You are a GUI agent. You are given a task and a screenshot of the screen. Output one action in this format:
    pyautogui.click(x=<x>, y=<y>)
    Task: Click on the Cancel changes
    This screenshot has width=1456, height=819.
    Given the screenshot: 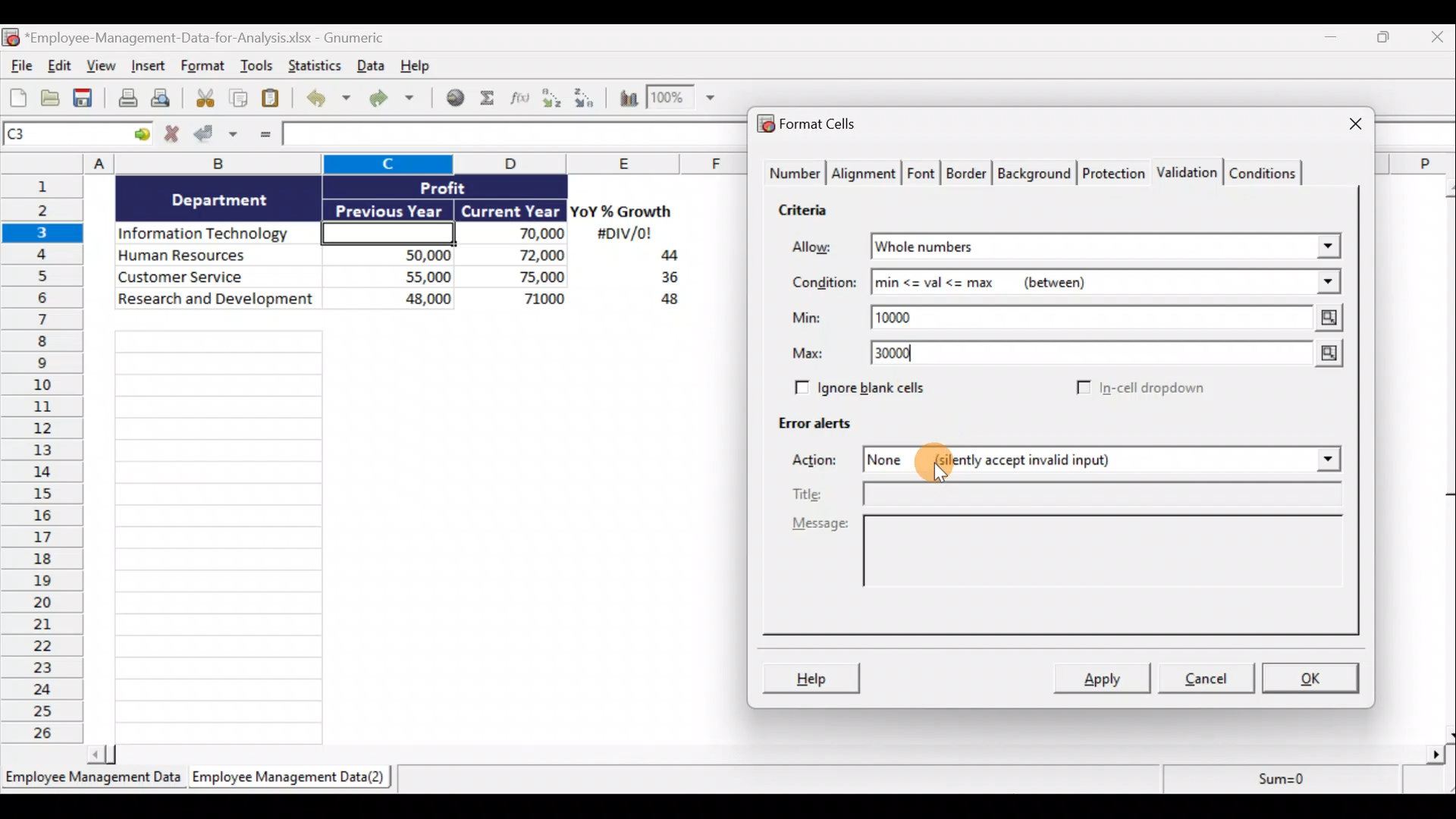 What is the action you would take?
    pyautogui.click(x=172, y=136)
    